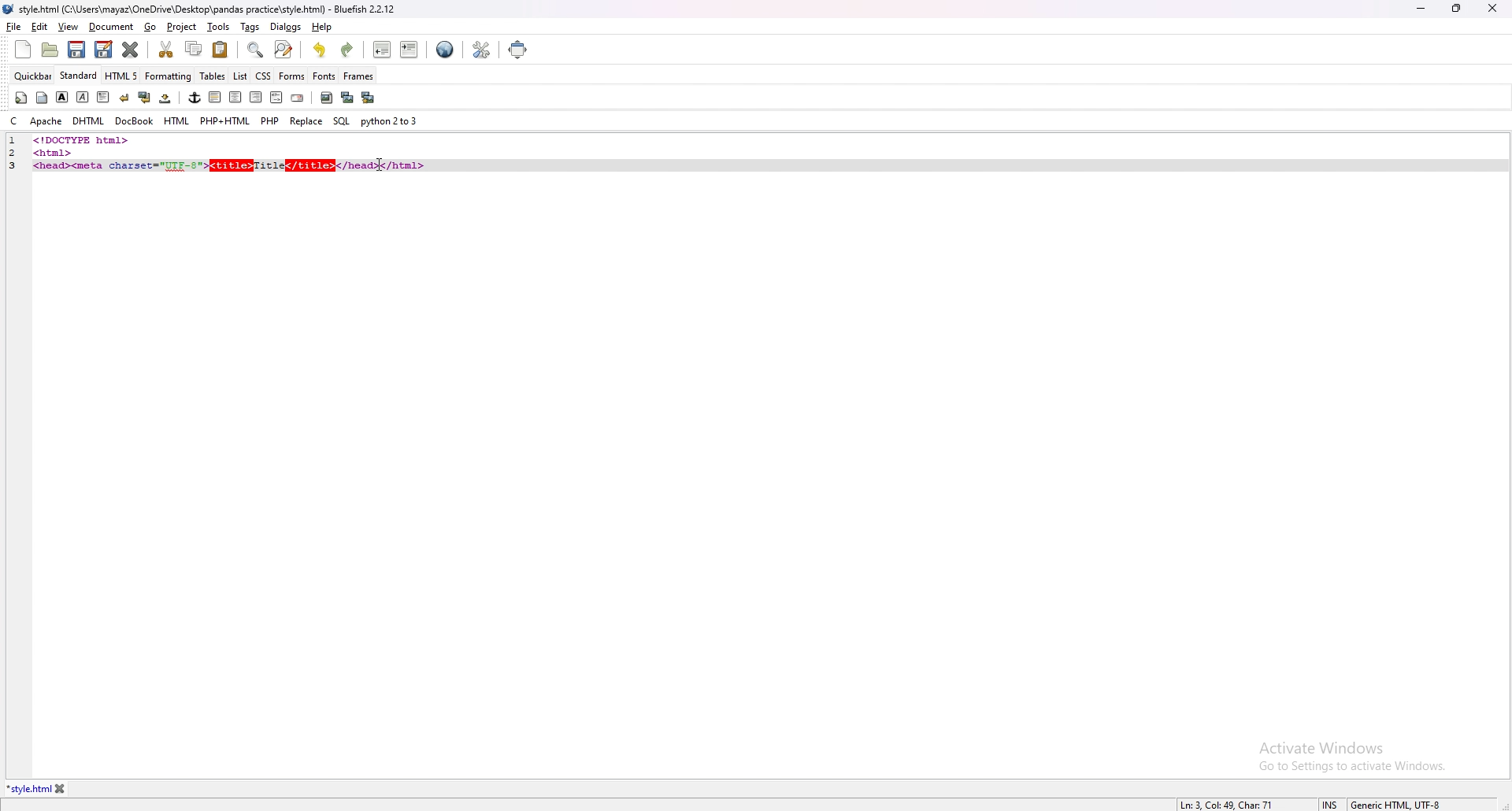 The height and width of the screenshot is (811, 1512). What do you see at coordinates (256, 50) in the screenshot?
I see `find bar` at bounding box center [256, 50].